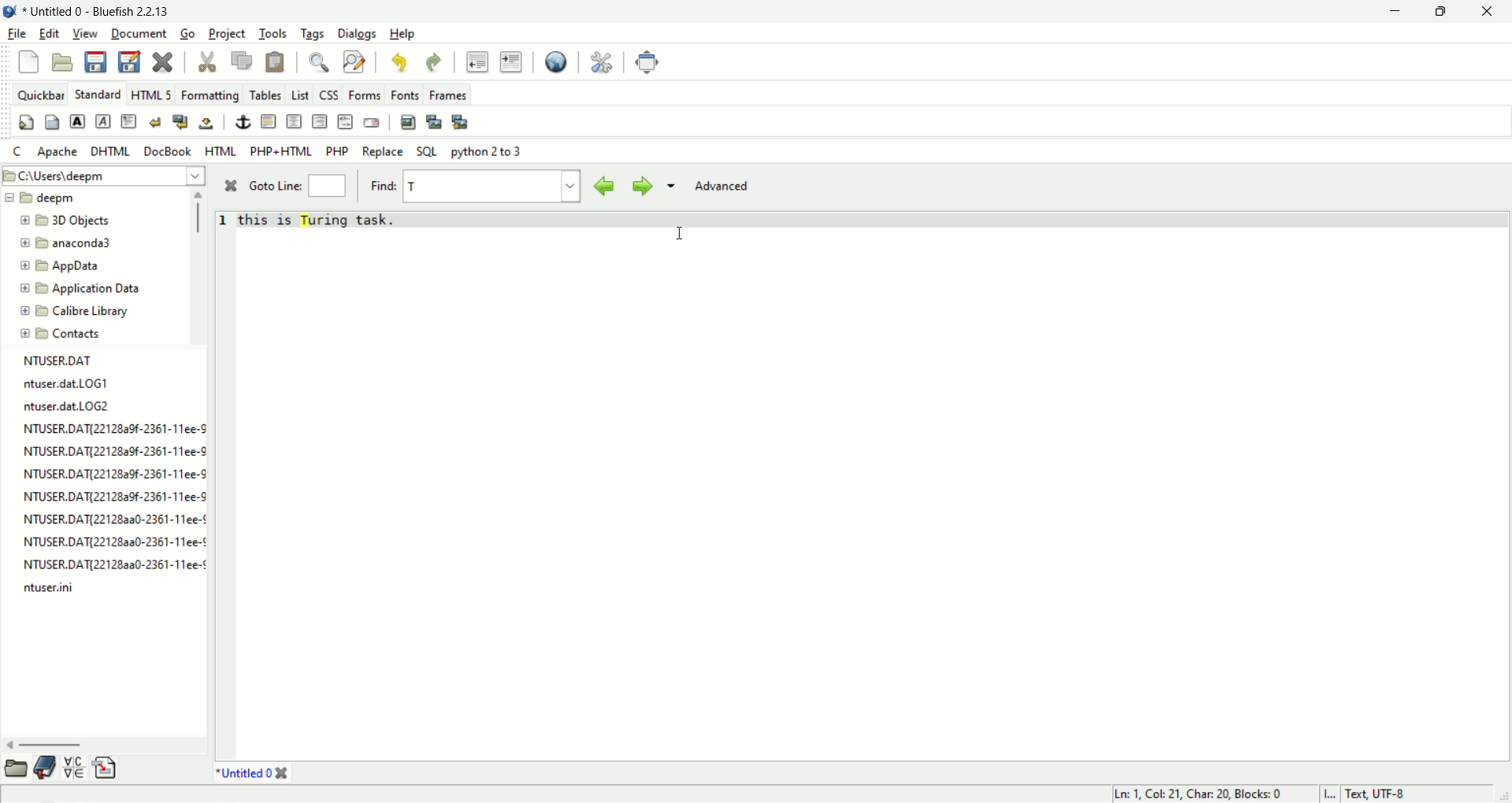  I want to click on mouse cursor, so click(683, 235).